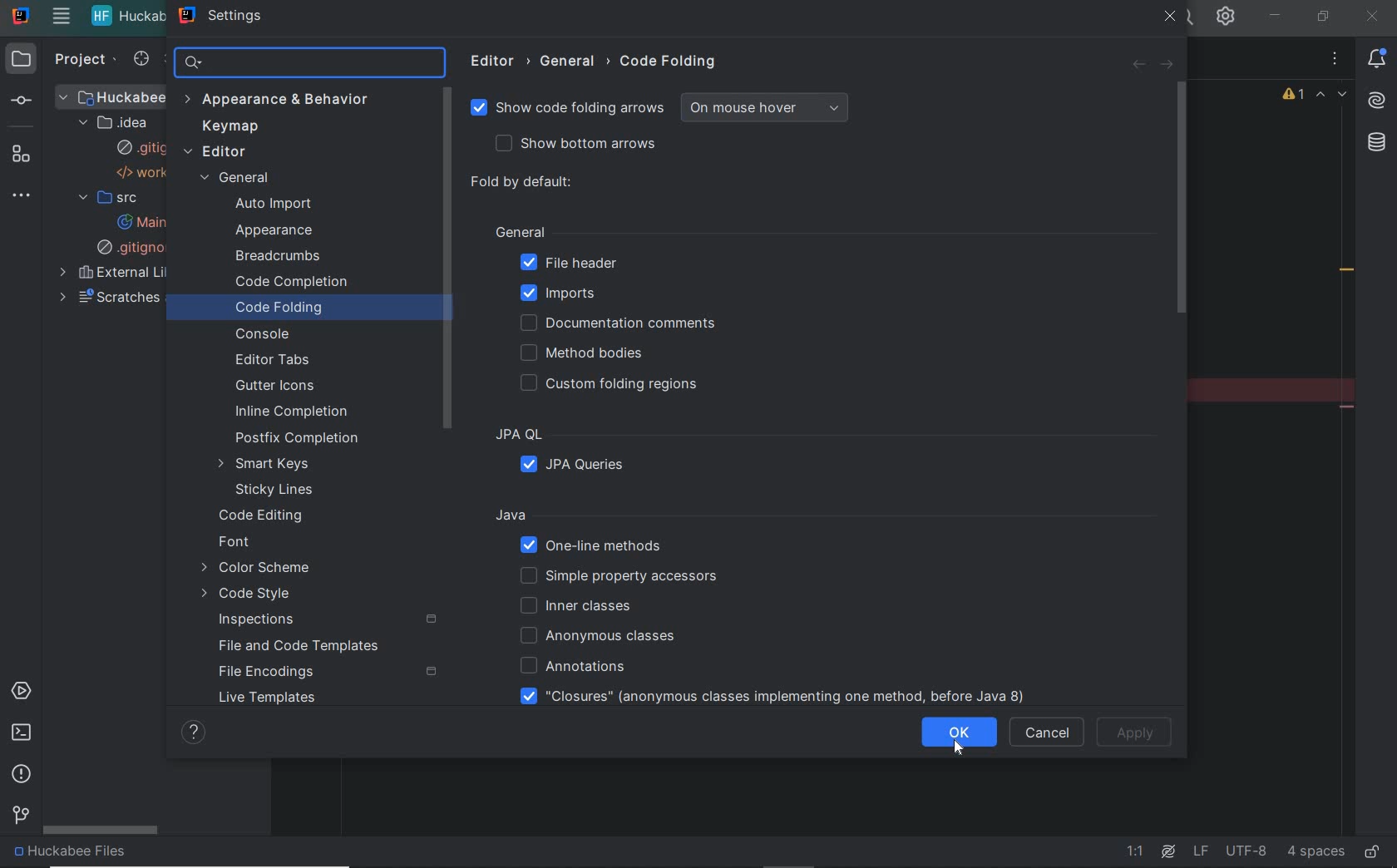 Image resolution: width=1397 pixels, height=868 pixels. Describe the element at coordinates (1380, 141) in the screenshot. I see `database` at that location.